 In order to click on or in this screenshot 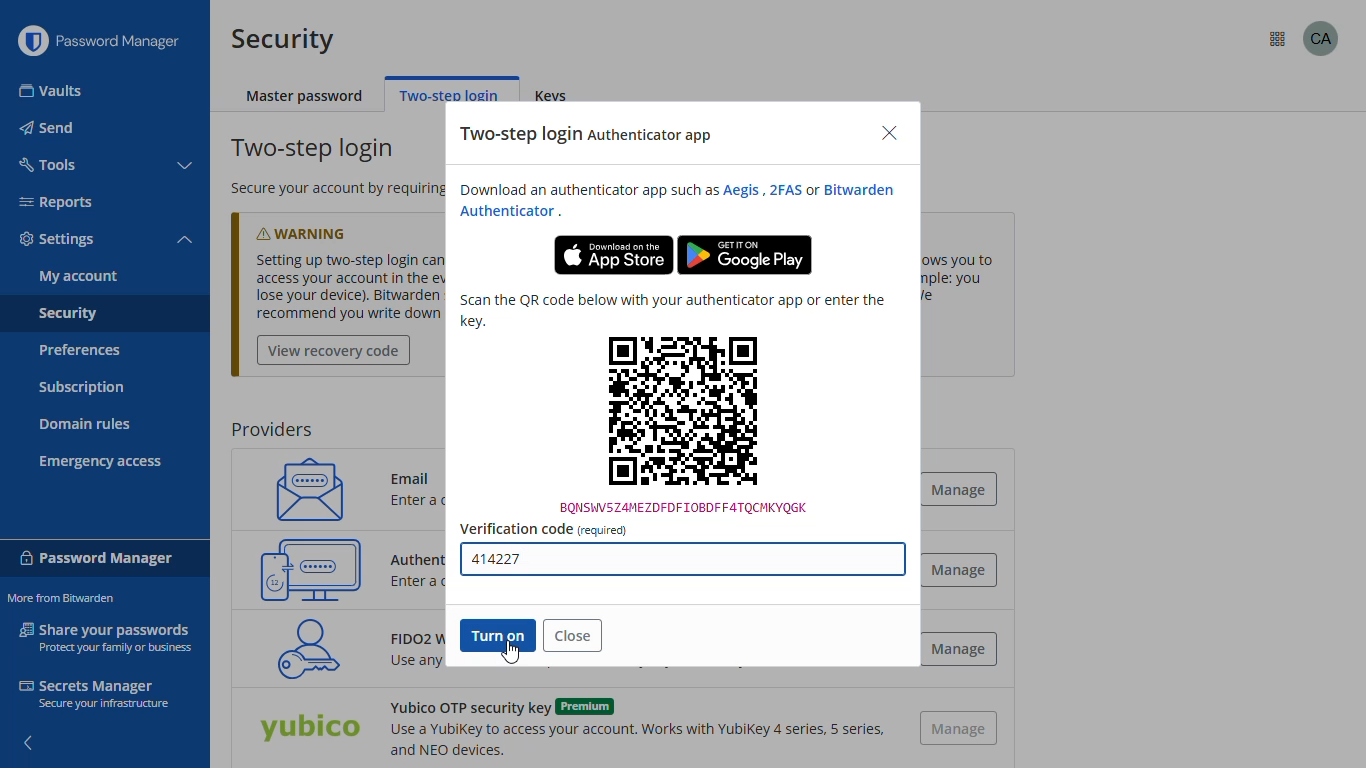, I will do `click(812, 191)`.